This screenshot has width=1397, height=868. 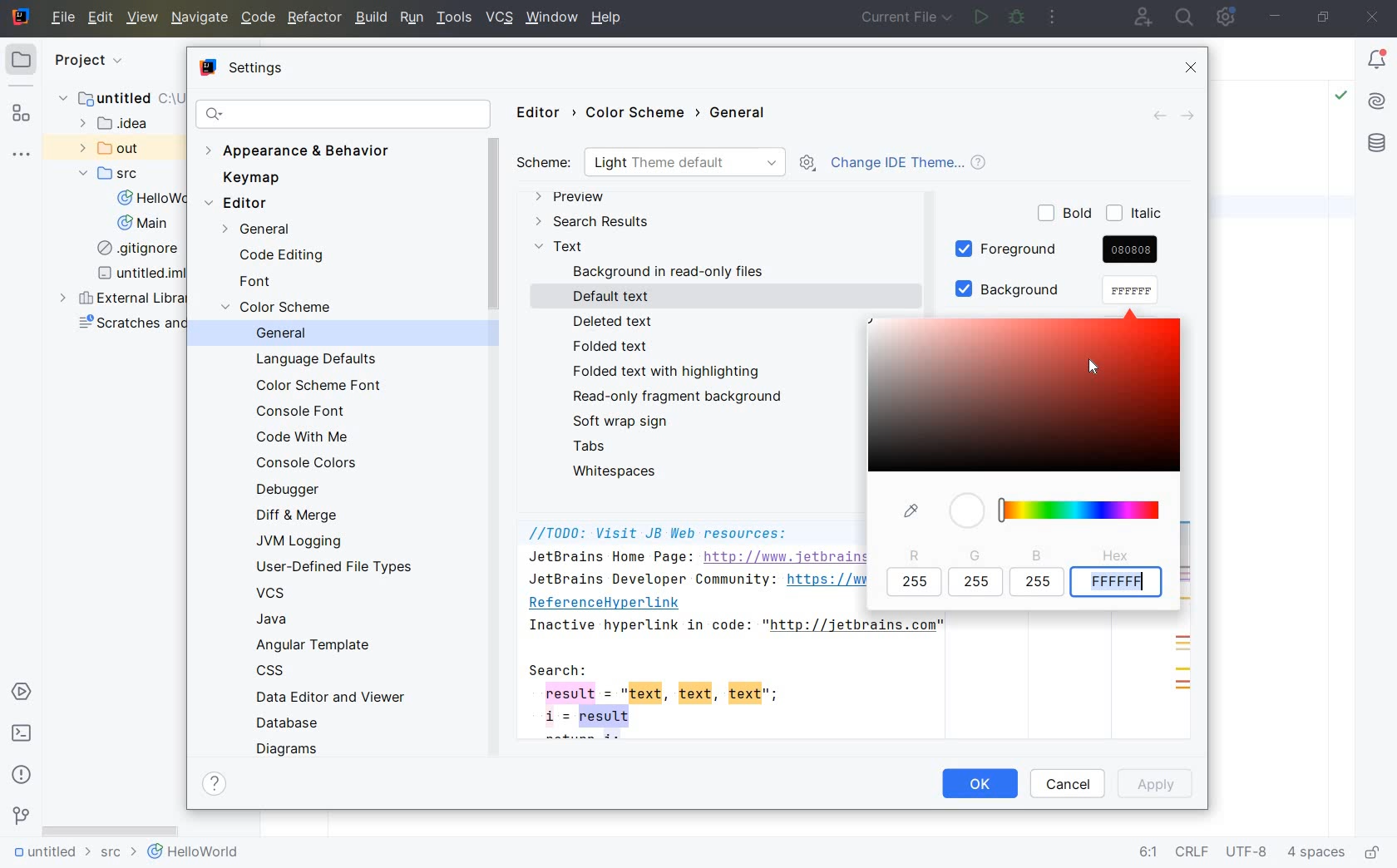 I want to click on close, so click(x=1373, y=18).